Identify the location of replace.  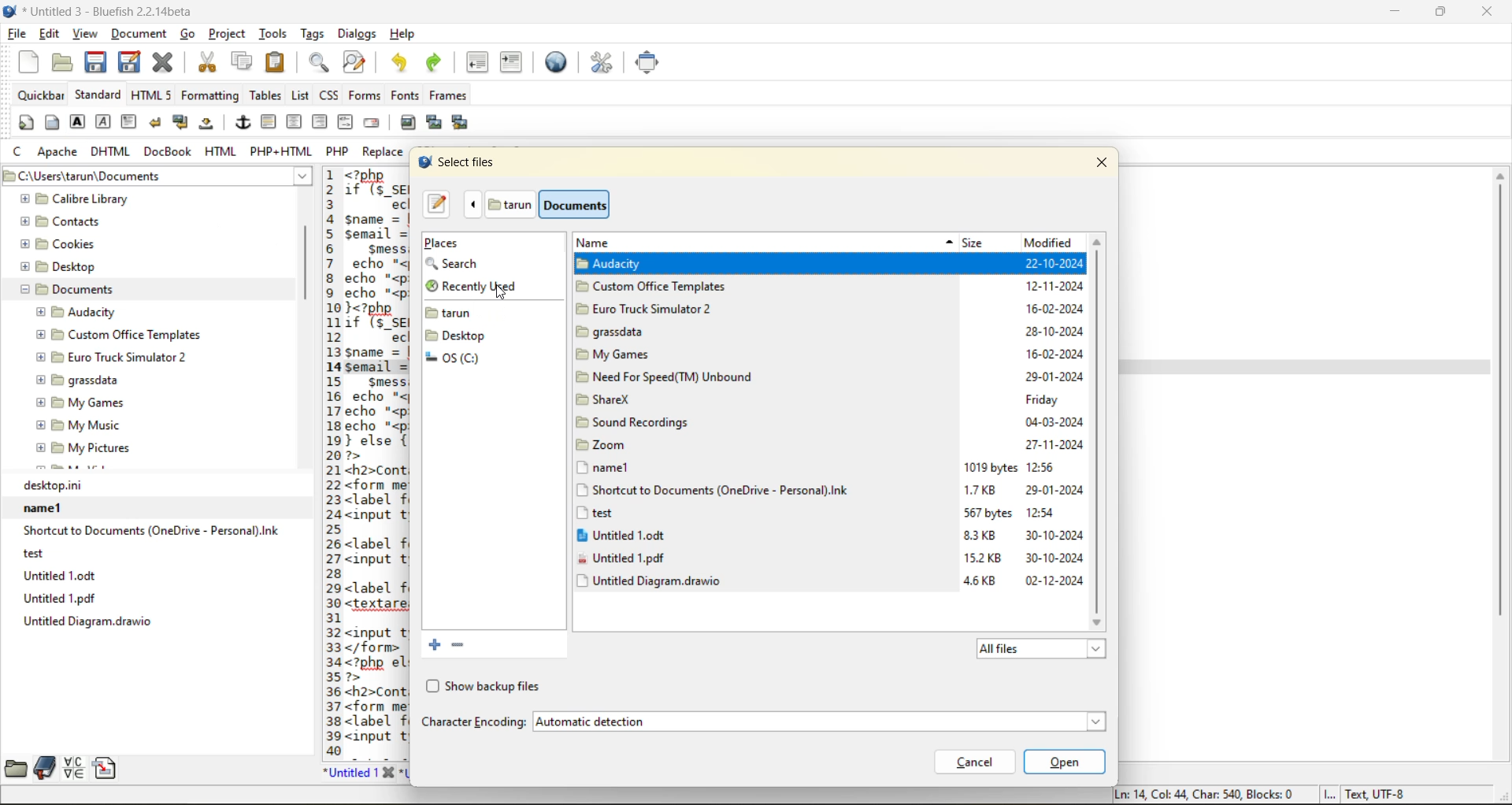
(385, 152).